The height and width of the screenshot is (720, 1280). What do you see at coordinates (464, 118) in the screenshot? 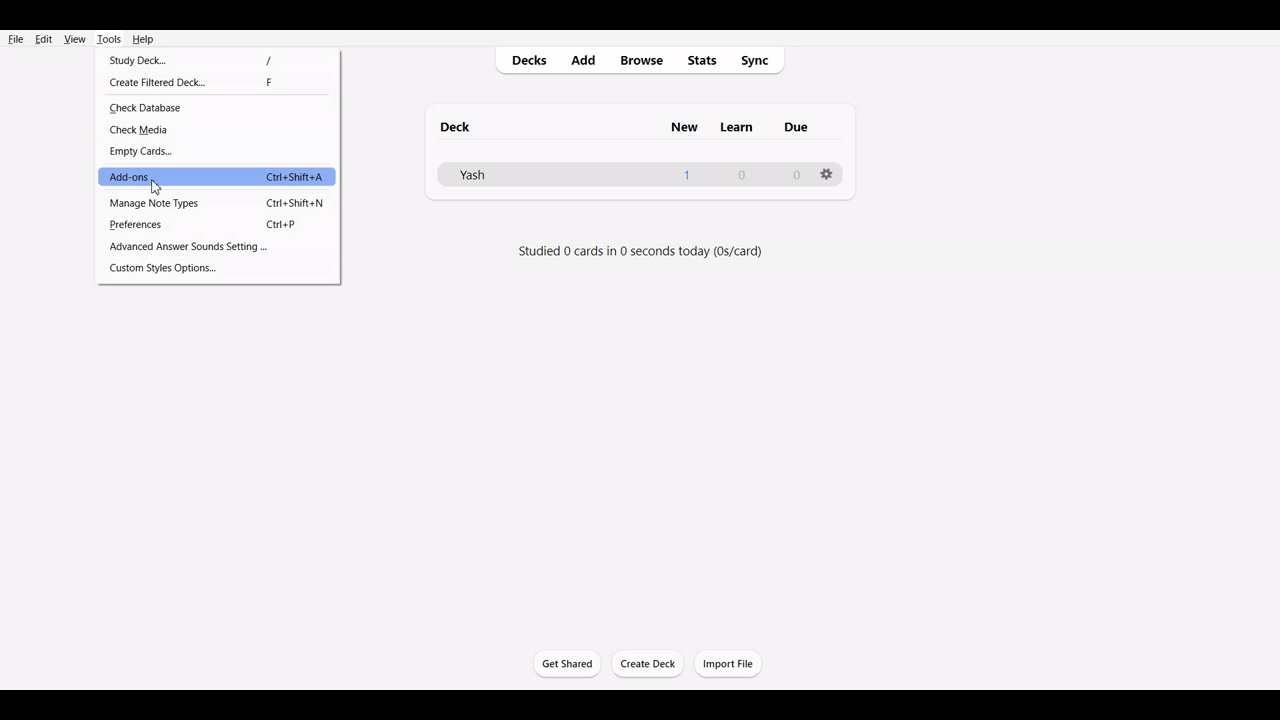
I see `deck` at bounding box center [464, 118].